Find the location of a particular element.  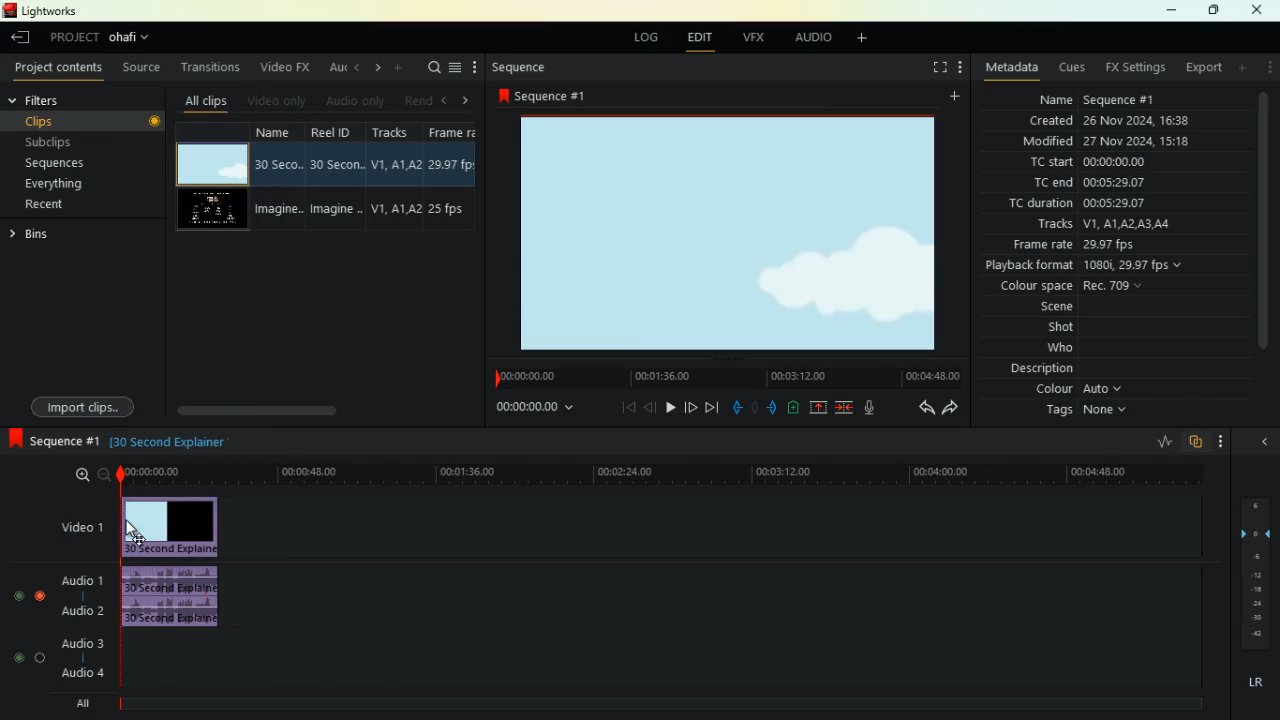

add is located at coordinates (1244, 67).